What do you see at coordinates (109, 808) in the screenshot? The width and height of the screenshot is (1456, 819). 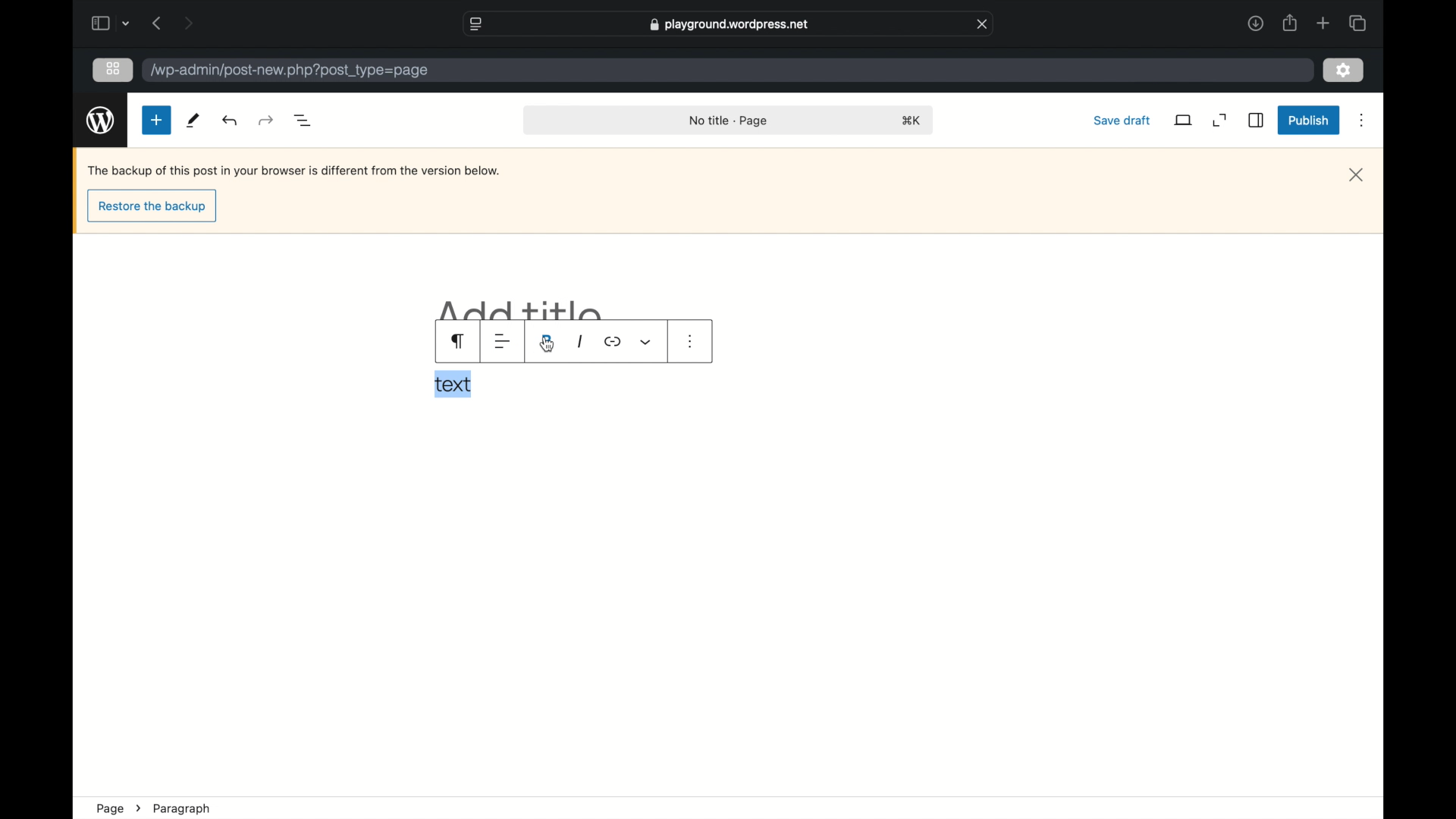 I see `page` at bounding box center [109, 808].